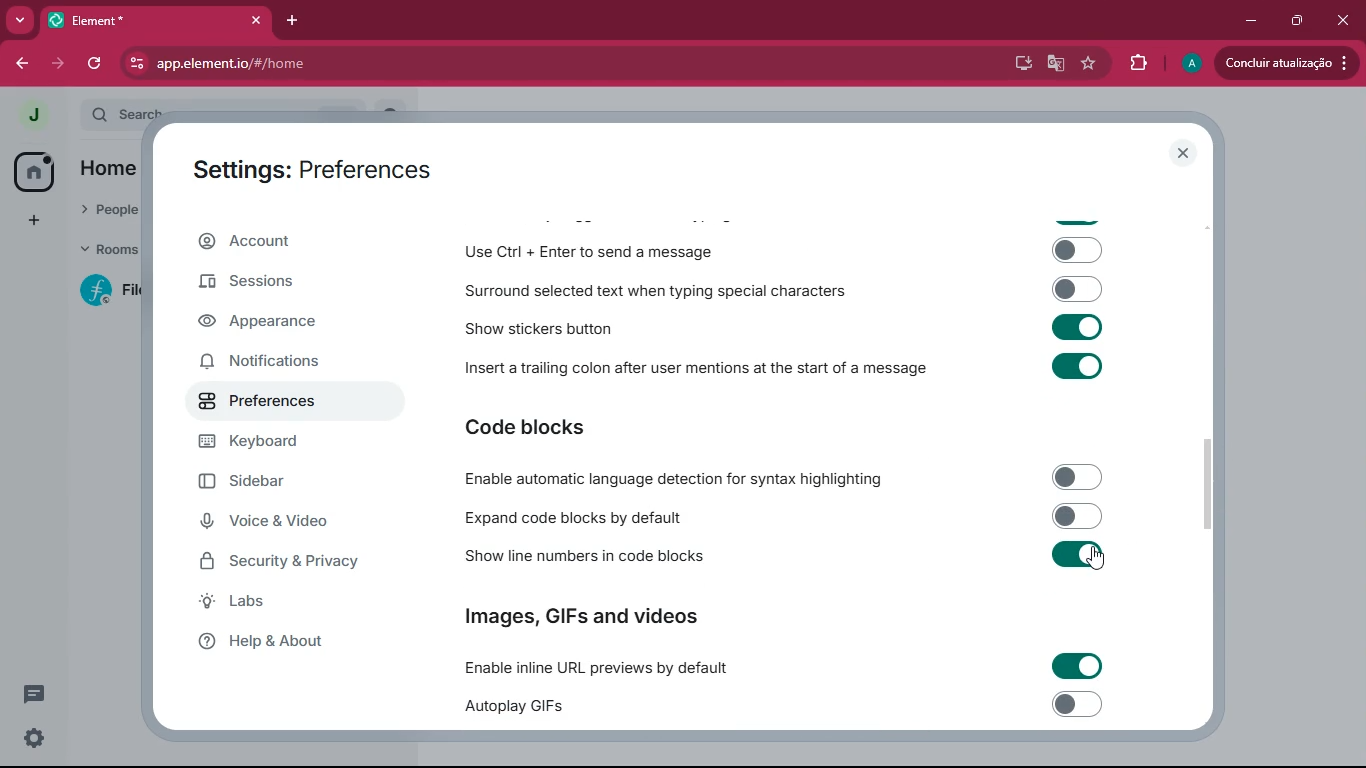 The image size is (1366, 768). What do you see at coordinates (290, 22) in the screenshot?
I see `add tab` at bounding box center [290, 22].